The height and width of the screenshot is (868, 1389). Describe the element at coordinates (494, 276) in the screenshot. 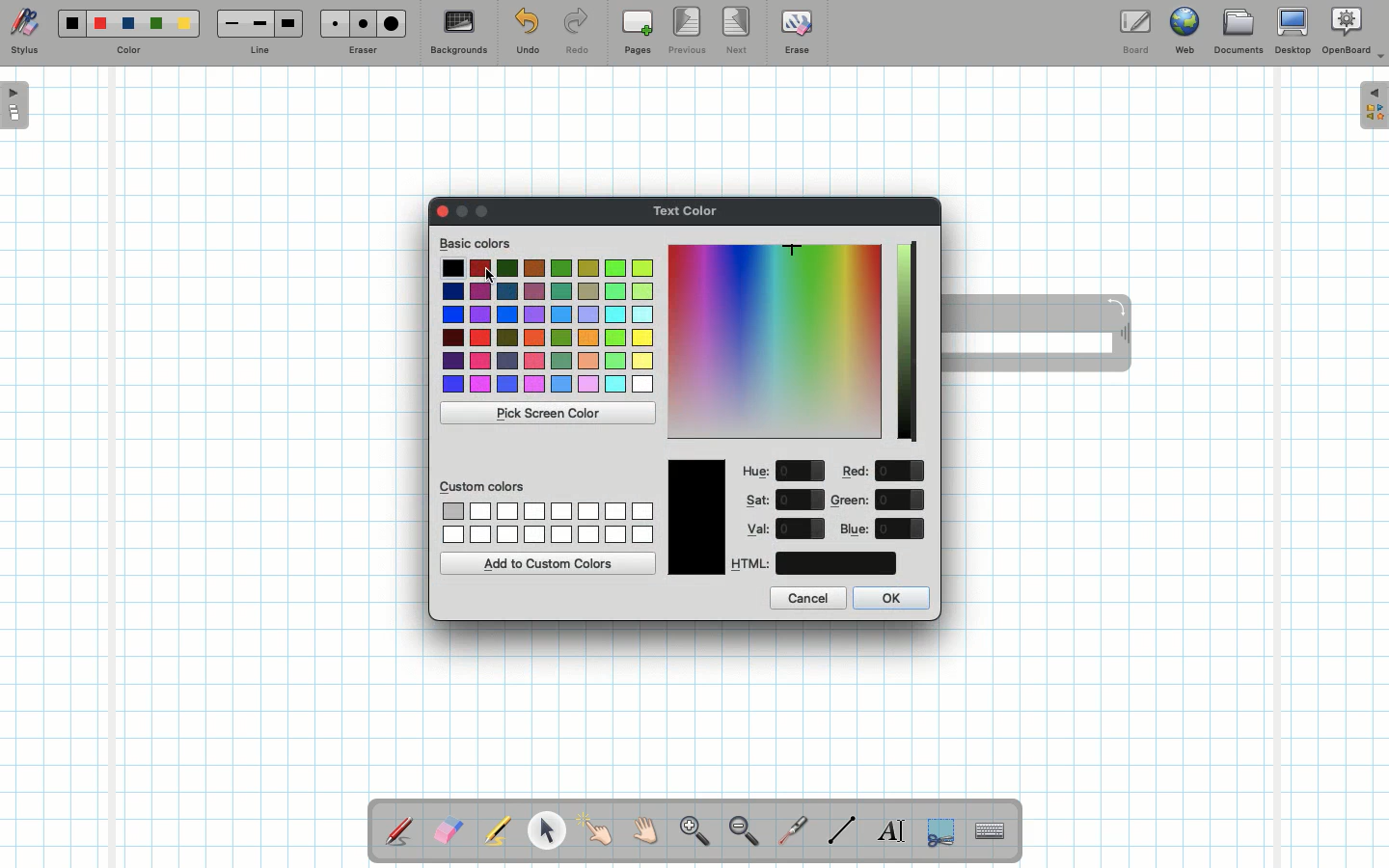

I see `cursor` at that location.